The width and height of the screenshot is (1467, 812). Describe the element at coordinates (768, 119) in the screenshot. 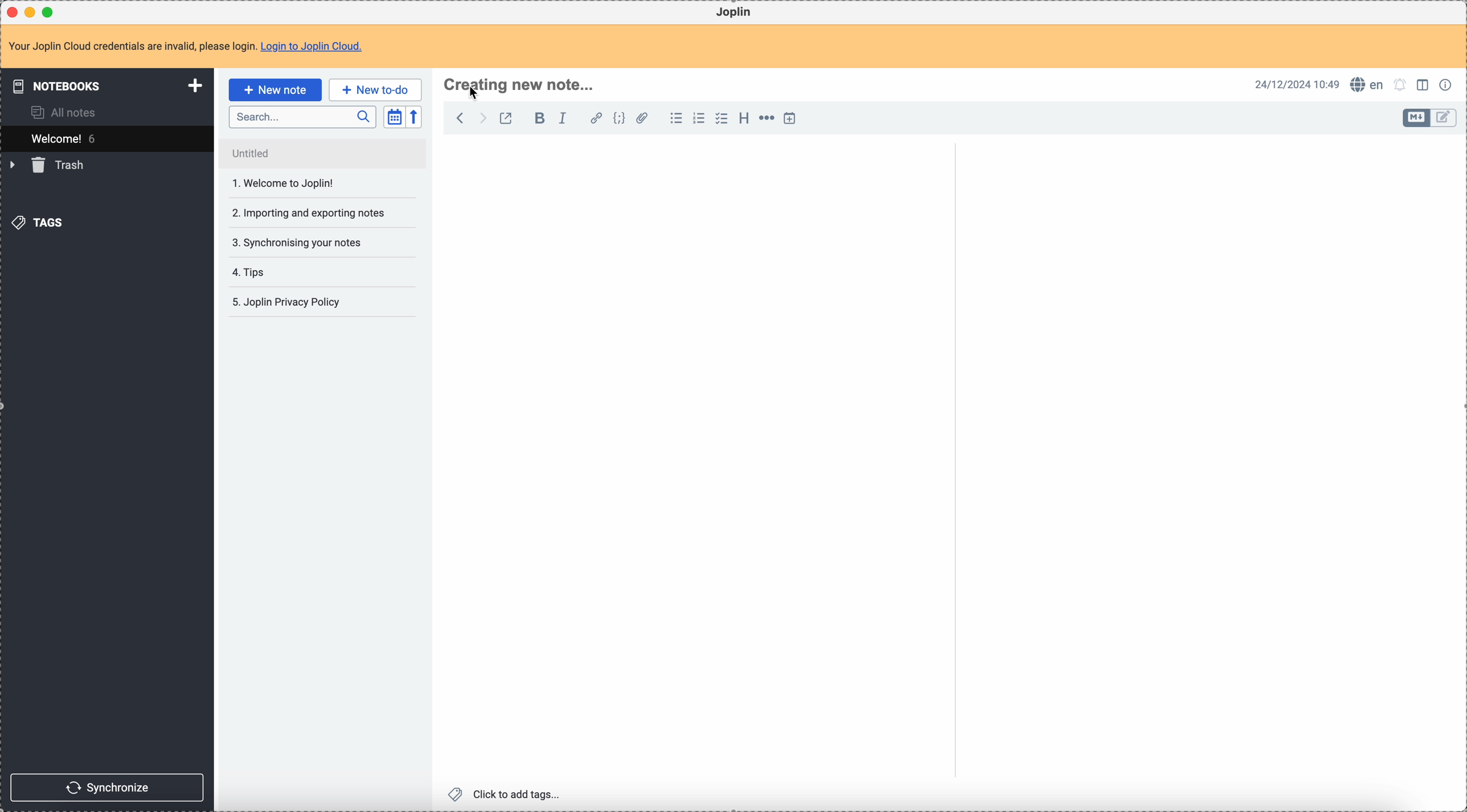

I see `horizontal rule` at that location.